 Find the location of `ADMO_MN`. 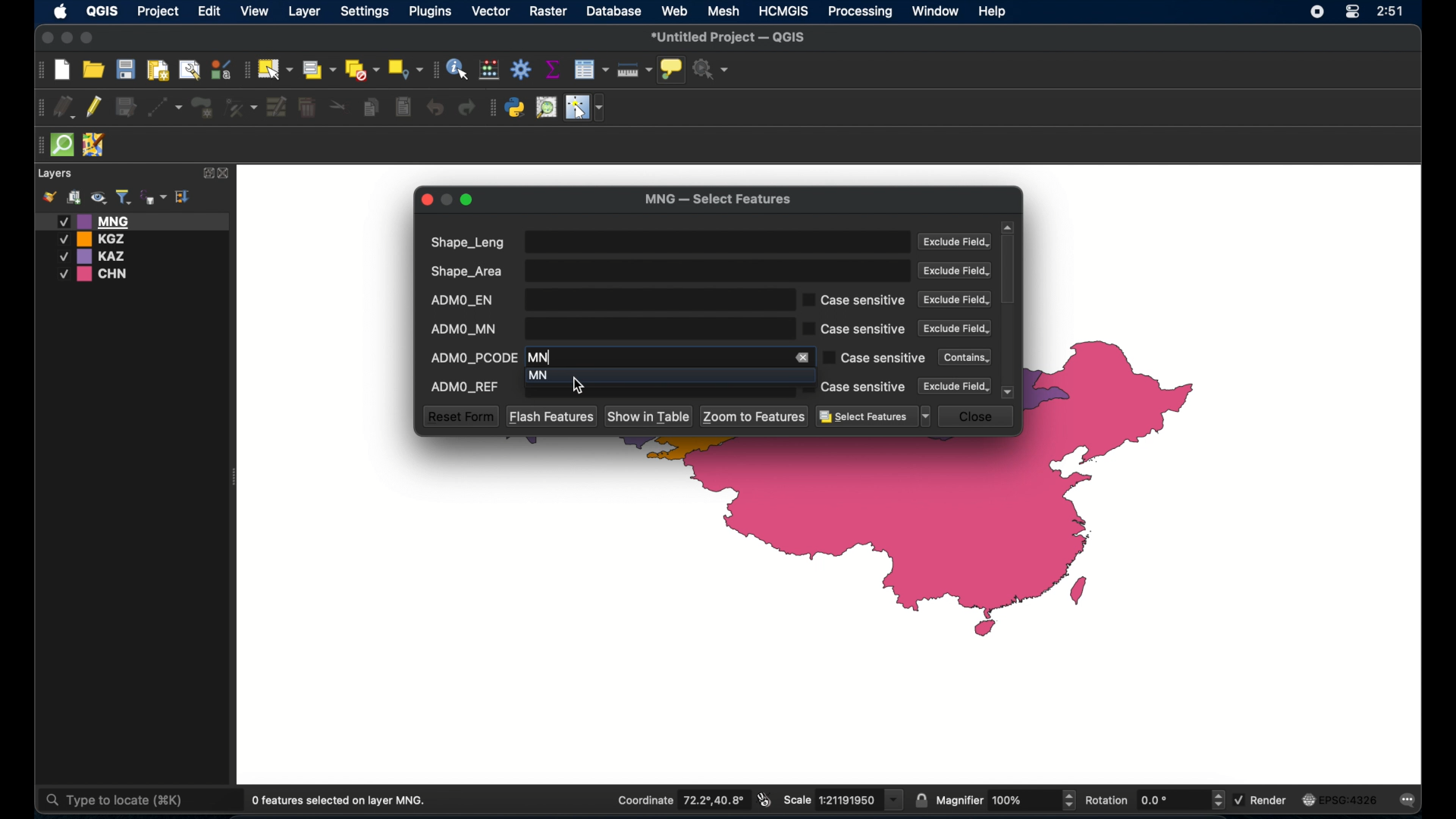

ADMO_MN is located at coordinates (606, 328).